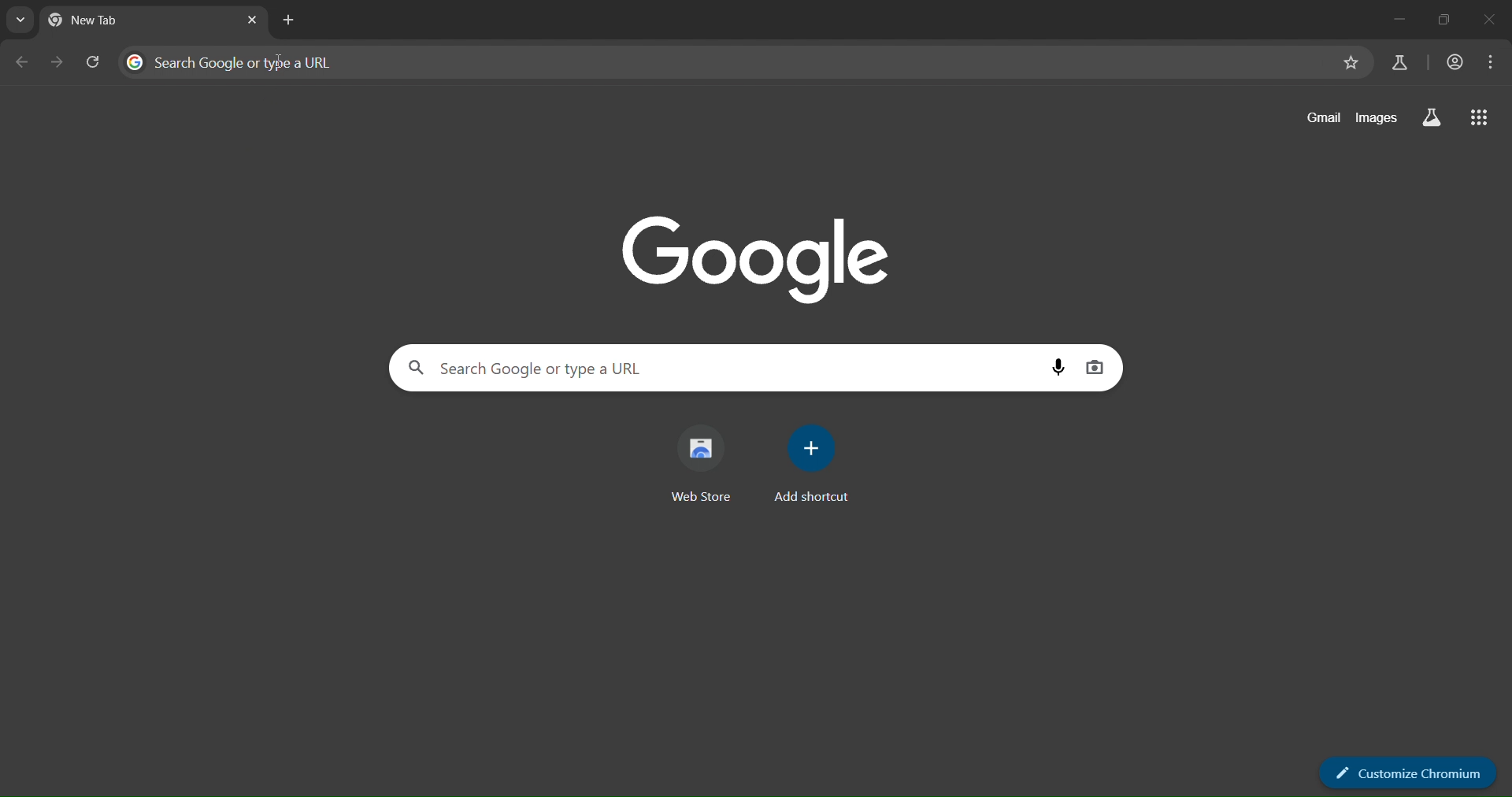  What do you see at coordinates (1430, 118) in the screenshot?
I see `search labs` at bounding box center [1430, 118].